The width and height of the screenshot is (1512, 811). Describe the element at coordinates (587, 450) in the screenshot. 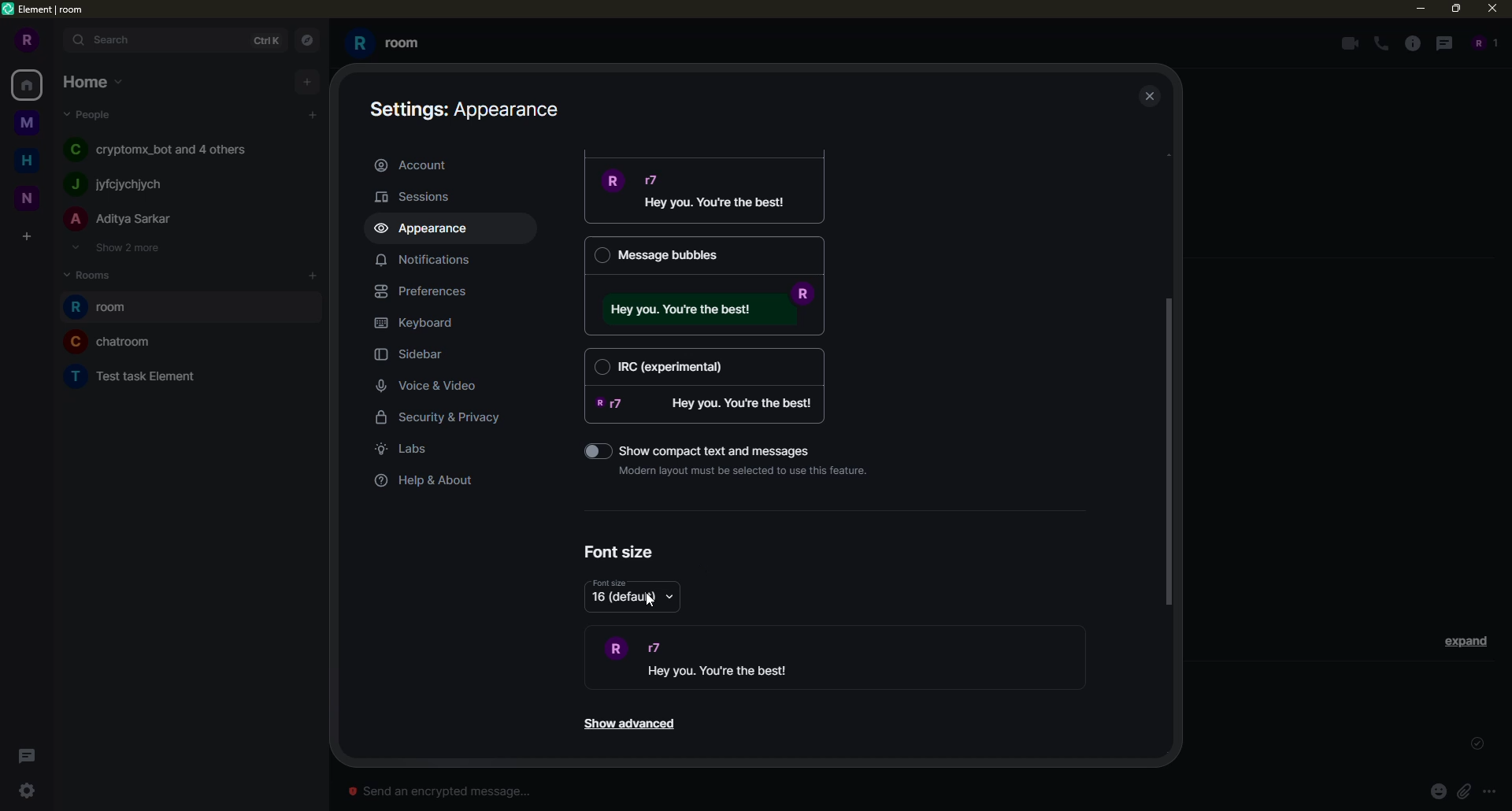

I see `toggle` at that location.